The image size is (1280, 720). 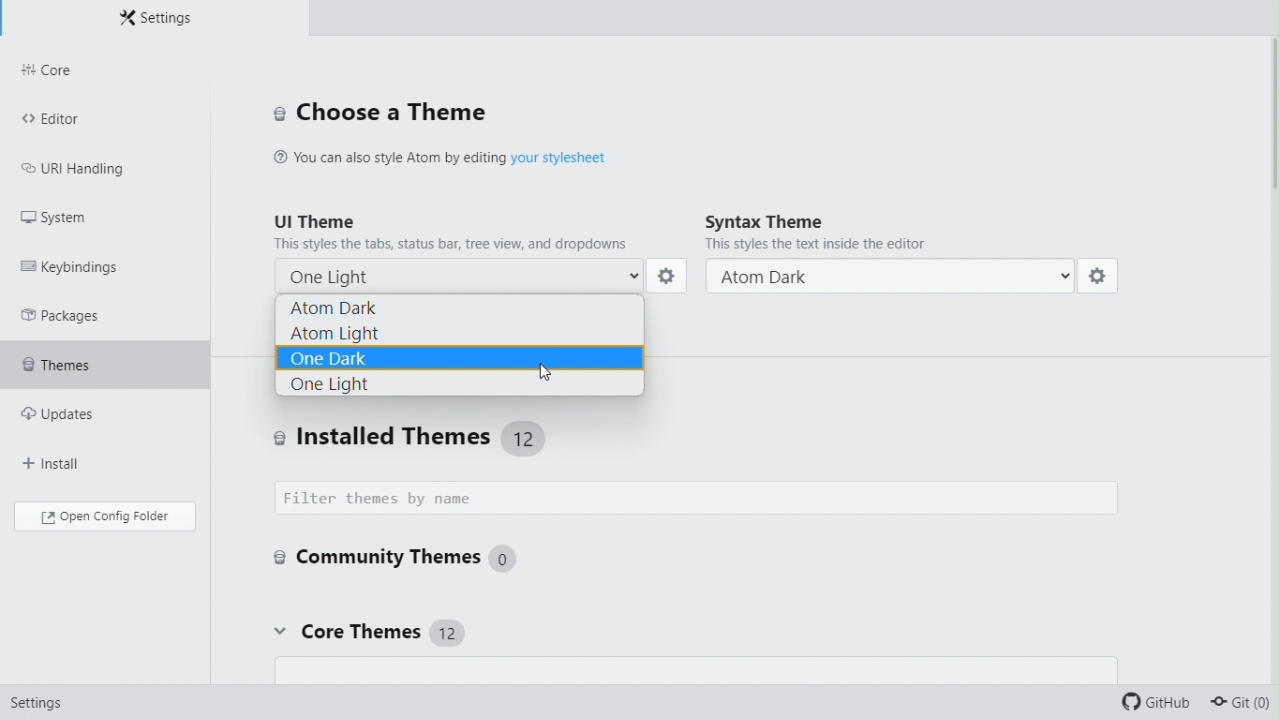 What do you see at coordinates (78, 419) in the screenshot?
I see `Updates` at bounding box center [78, 419].